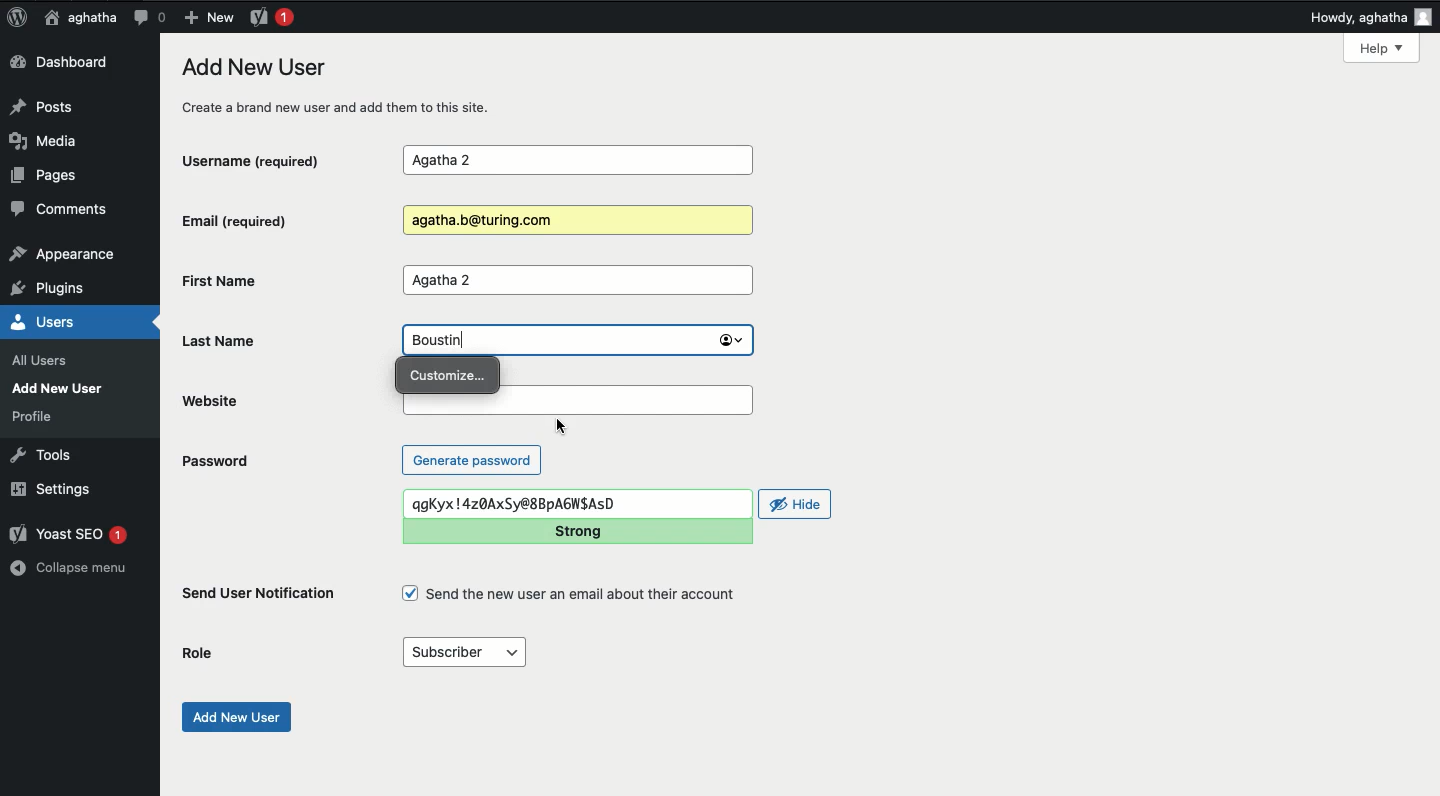  Describe the element at coordinates (347, 86) in the screenshot. I see `Add new user create a brand new user and add them to this site.` at that location.